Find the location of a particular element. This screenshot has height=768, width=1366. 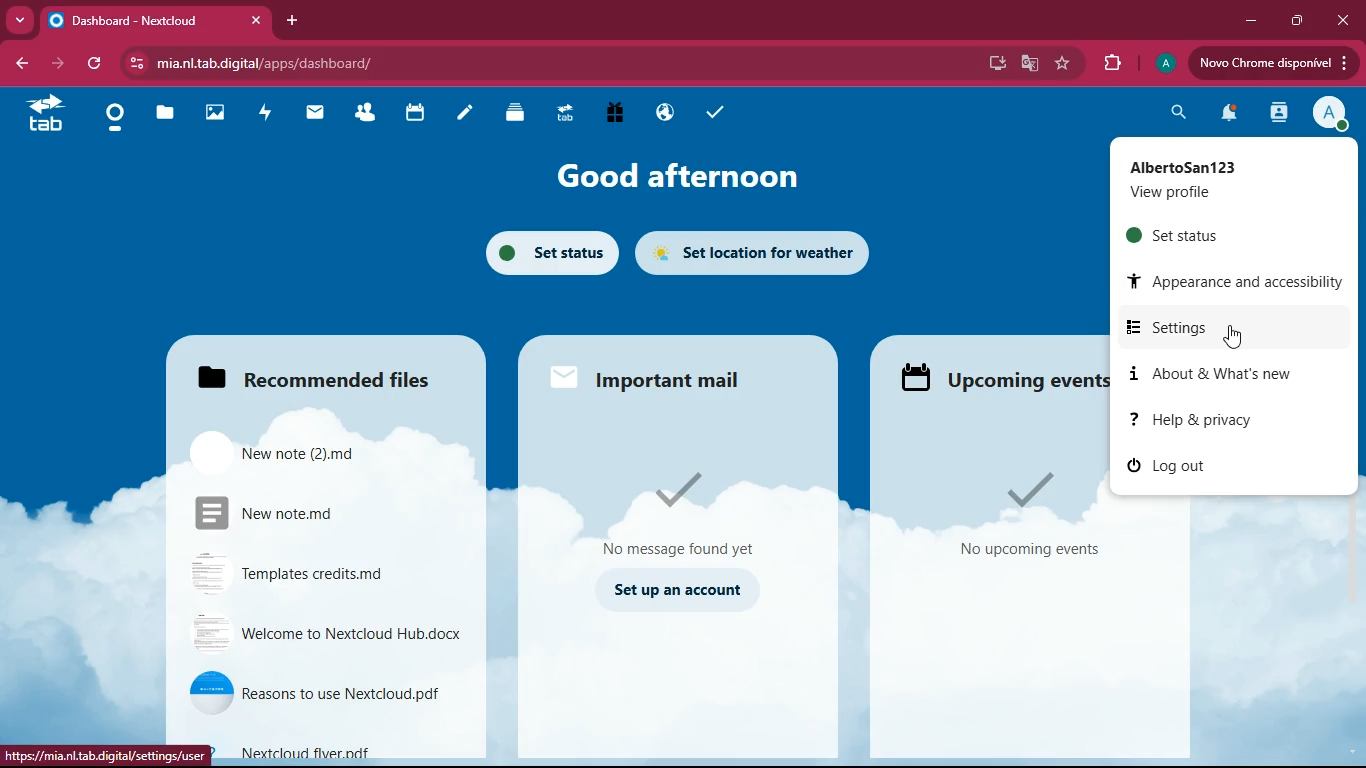

message is located at coordinates (686, 510).